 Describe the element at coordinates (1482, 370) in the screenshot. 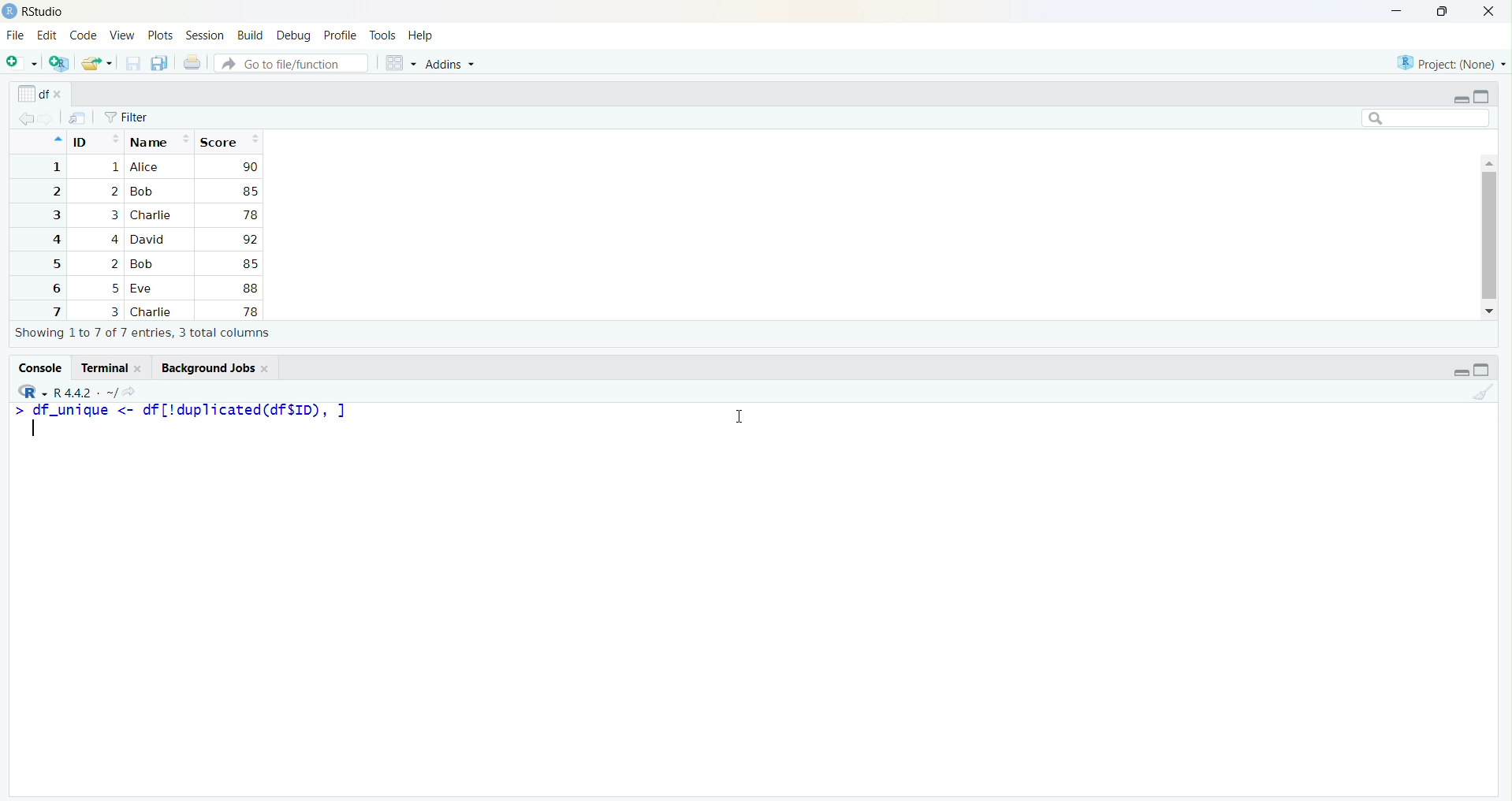

I see `maximize` at that location.